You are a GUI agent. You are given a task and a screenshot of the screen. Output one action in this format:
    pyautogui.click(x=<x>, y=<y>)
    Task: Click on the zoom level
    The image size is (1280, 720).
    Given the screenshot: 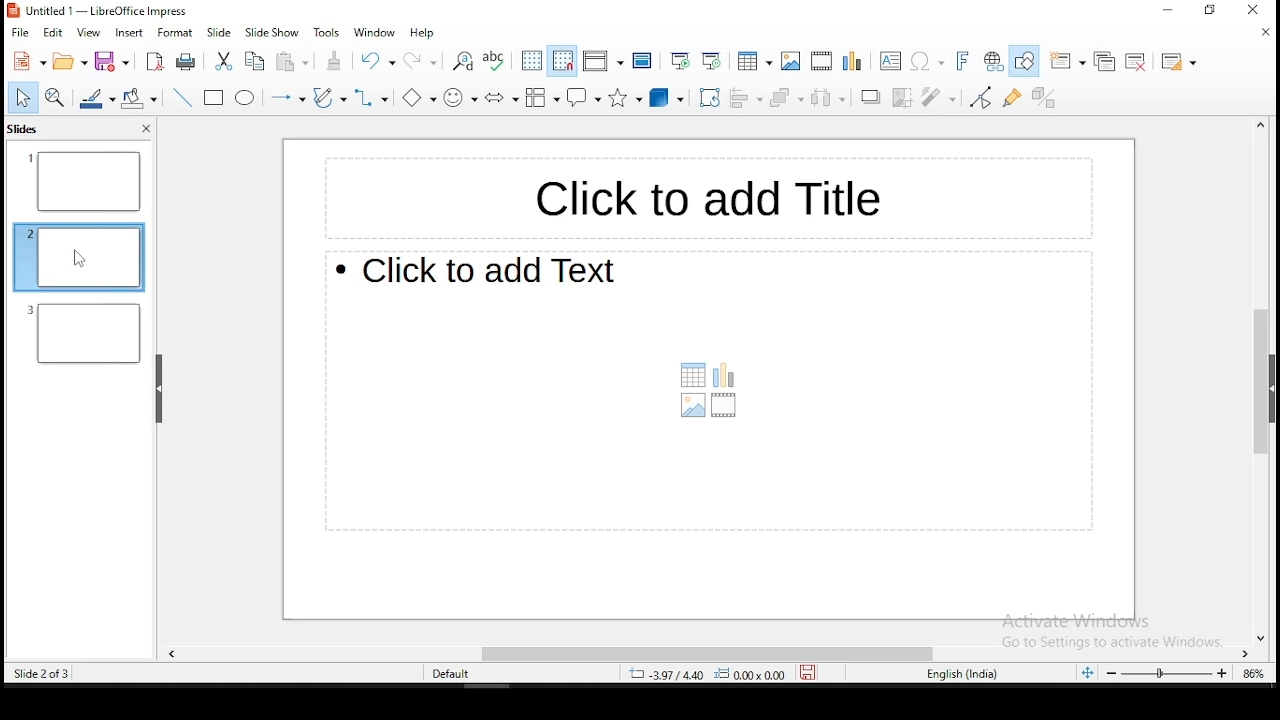 What is the action you would take?
    pyautogui.click(x=1253, y=672)
    